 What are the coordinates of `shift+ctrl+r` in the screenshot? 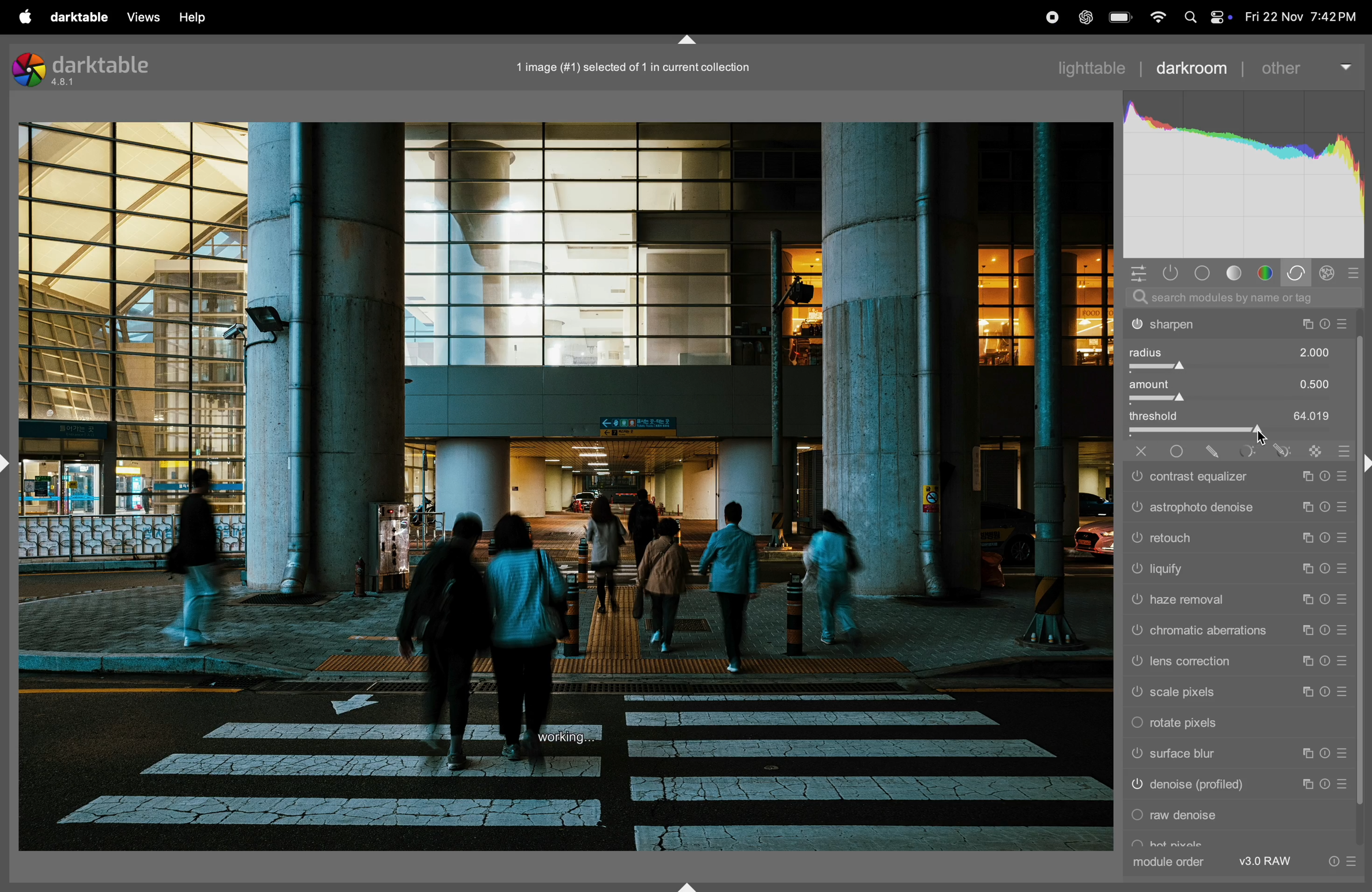 It's located at (1364, 462).